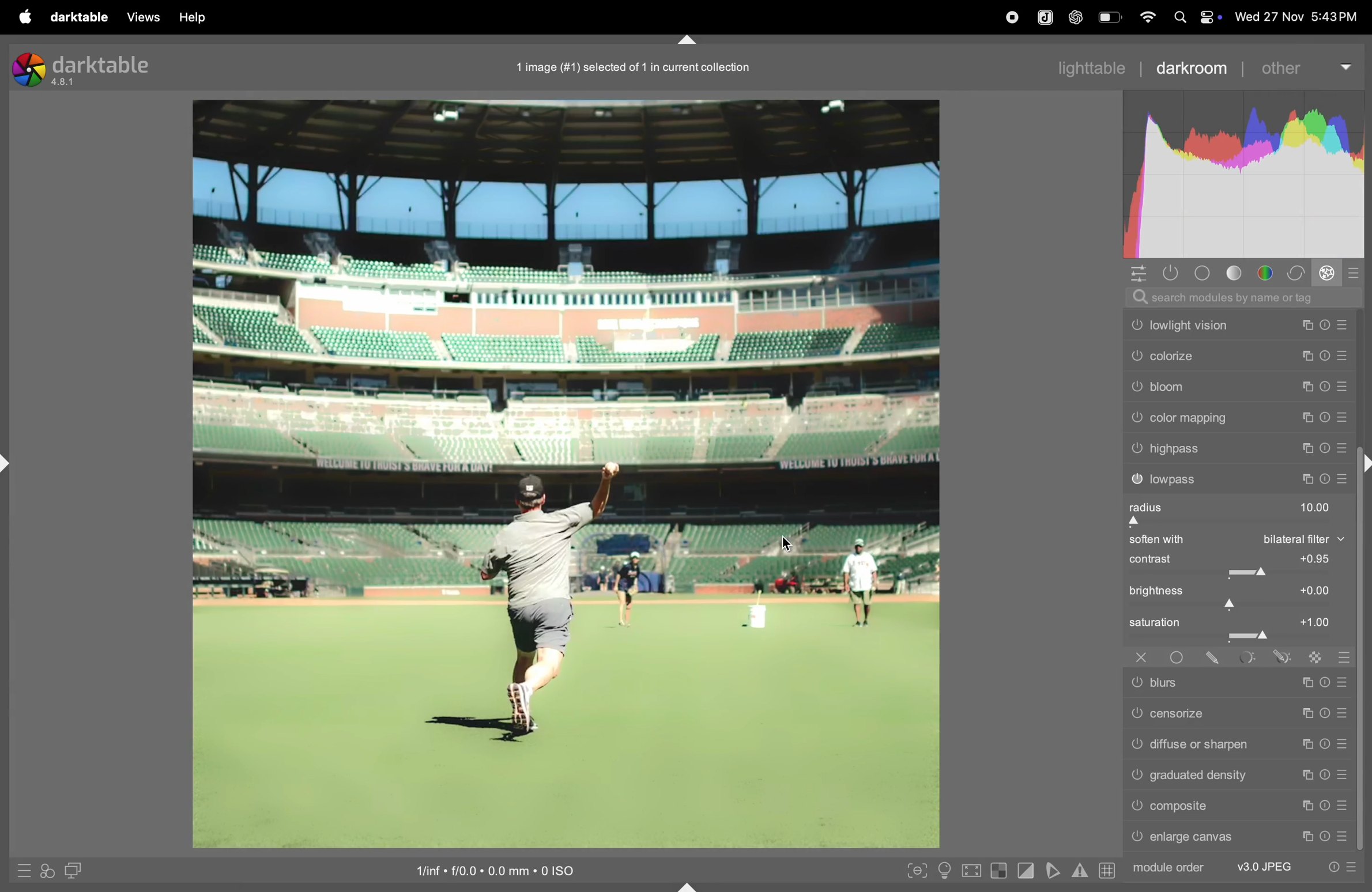 This screenshot has height=892, width=1372. I want to click on dark table version, so click(82, 68).